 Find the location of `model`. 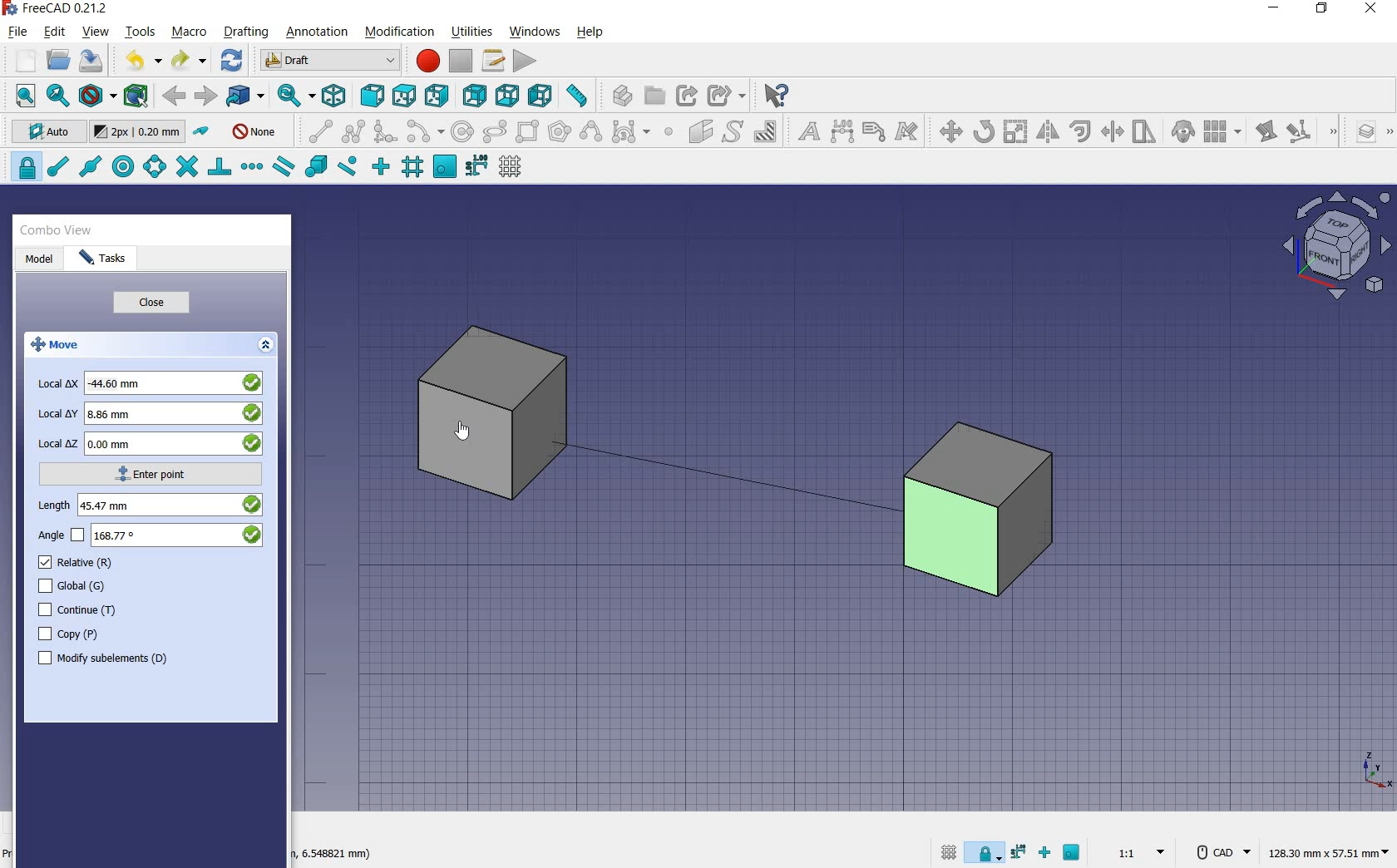

model is located at coordinates (38, 255).